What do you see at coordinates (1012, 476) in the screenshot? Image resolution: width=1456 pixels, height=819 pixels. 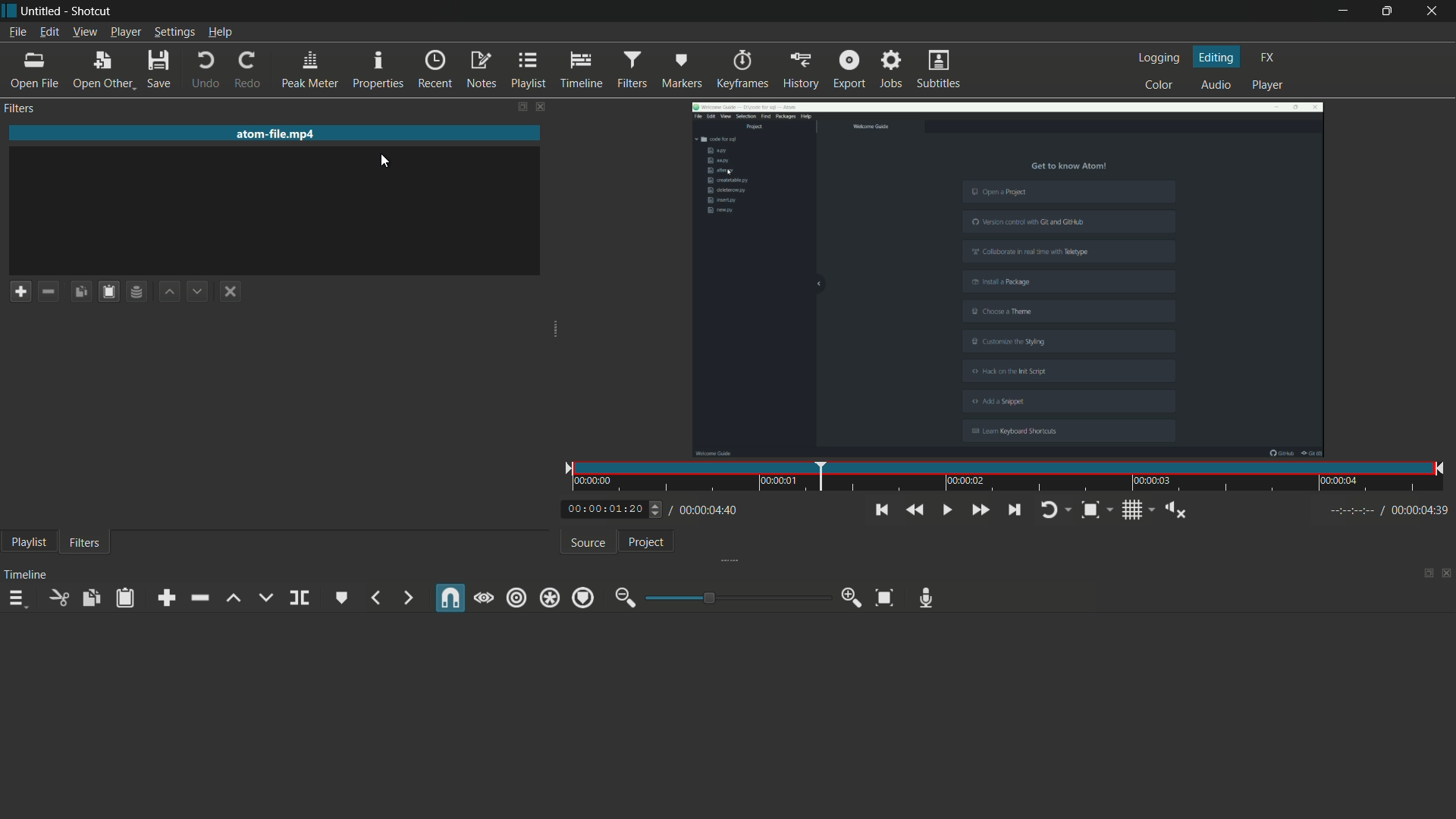 I see `time` at bounding box center [1012, 476].